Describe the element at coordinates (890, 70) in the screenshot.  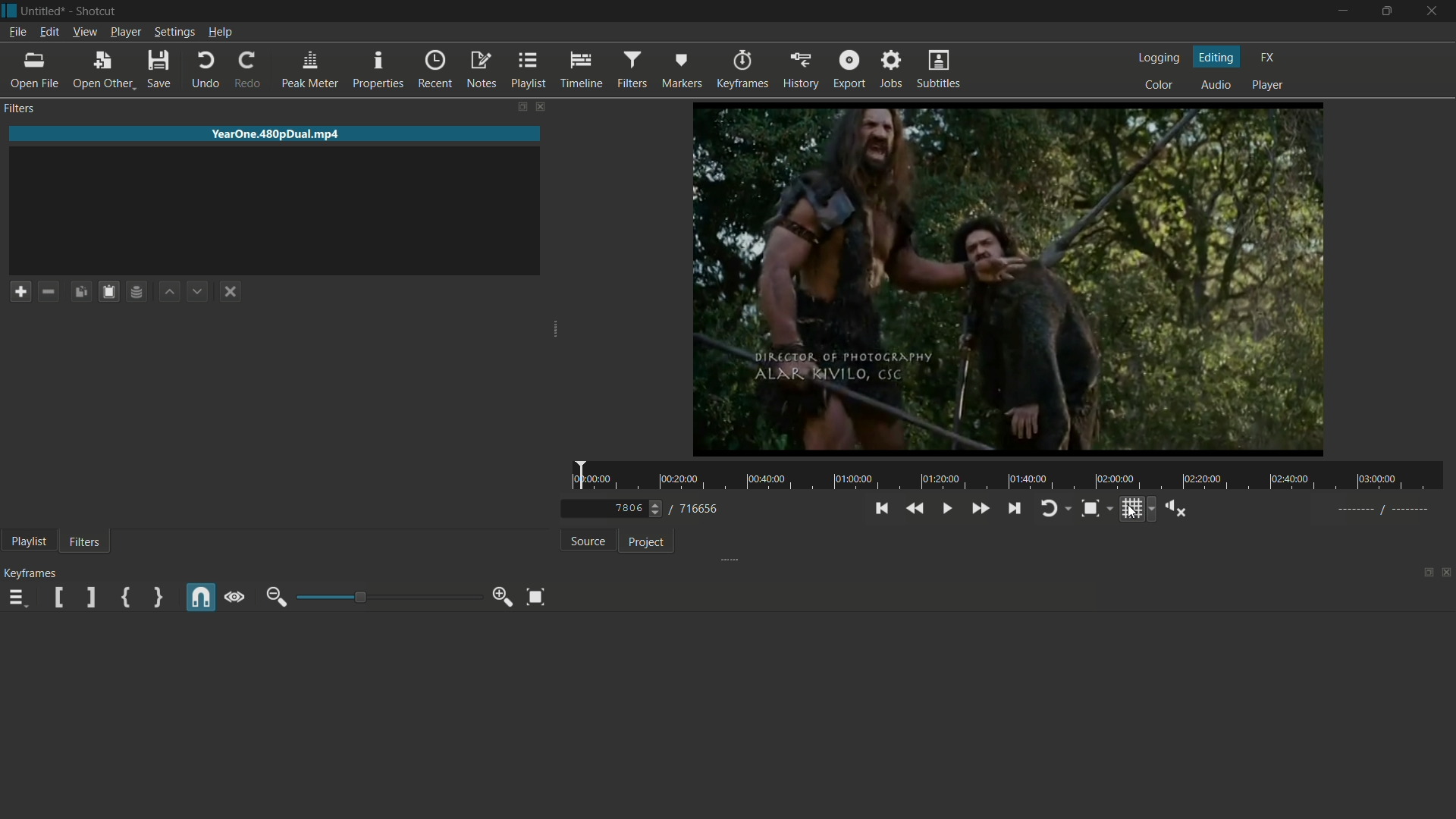
I see `jobs` at that location.